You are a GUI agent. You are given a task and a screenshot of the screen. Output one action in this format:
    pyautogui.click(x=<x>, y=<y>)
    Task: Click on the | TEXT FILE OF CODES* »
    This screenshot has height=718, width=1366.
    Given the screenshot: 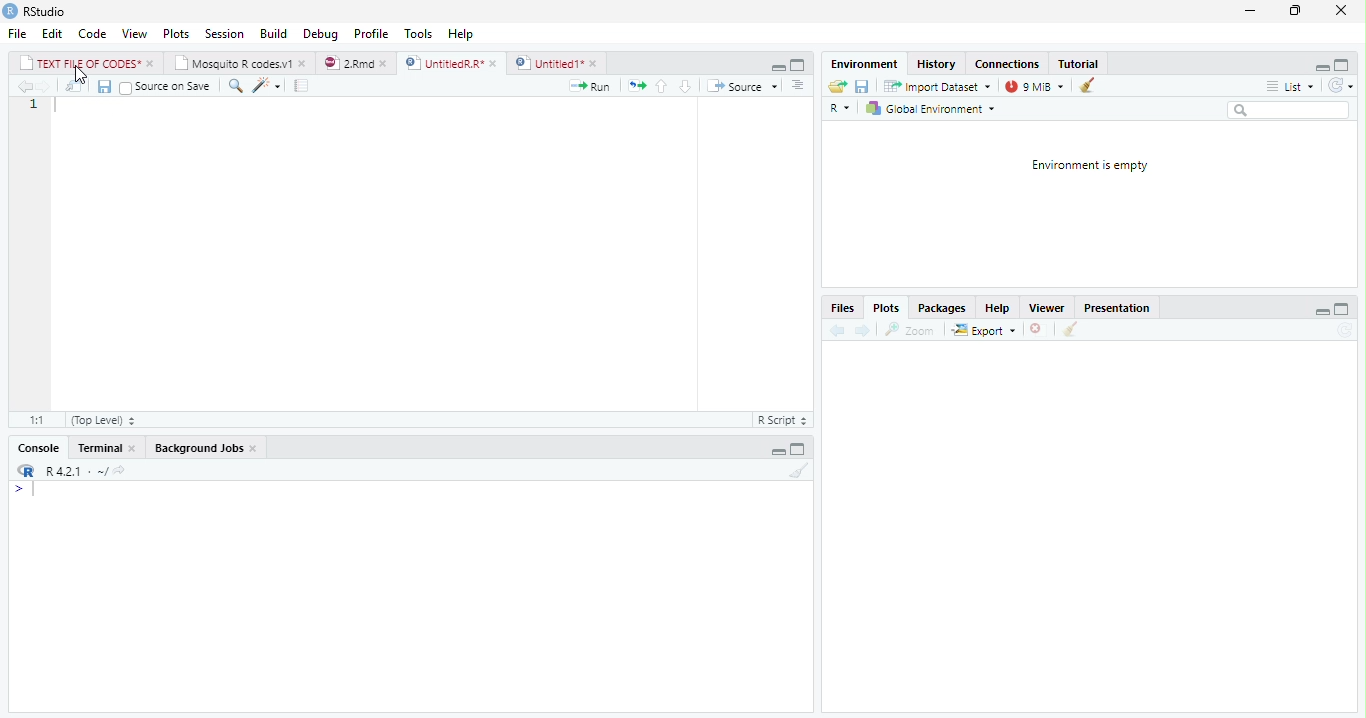 What is the action you would take?
    pyautogui.click(x=88, y=63)
    